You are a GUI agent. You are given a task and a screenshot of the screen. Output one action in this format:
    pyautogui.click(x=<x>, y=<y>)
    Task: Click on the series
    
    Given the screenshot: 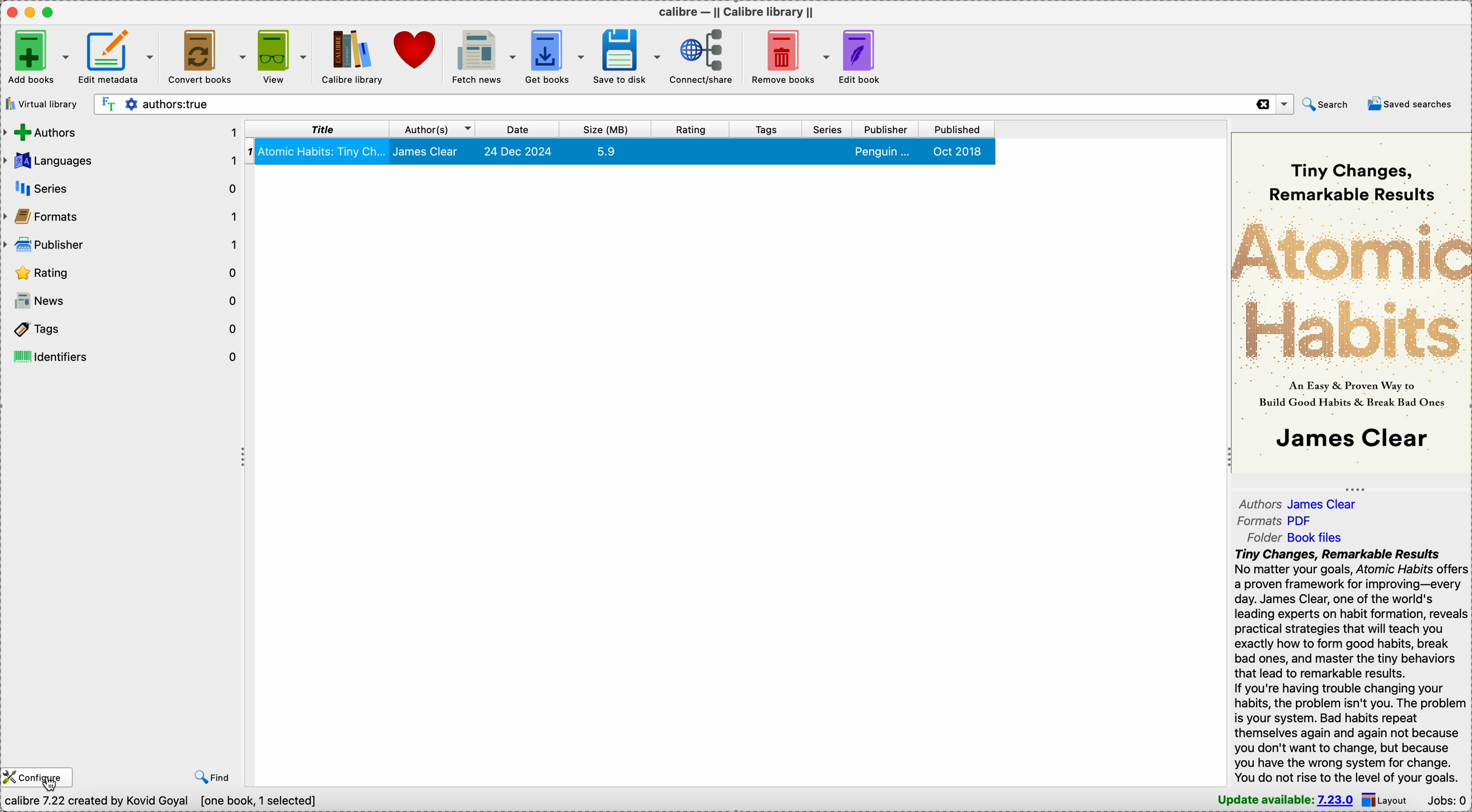 What is the action you would take?
    pyautogui.click(x=825, y=129)
    